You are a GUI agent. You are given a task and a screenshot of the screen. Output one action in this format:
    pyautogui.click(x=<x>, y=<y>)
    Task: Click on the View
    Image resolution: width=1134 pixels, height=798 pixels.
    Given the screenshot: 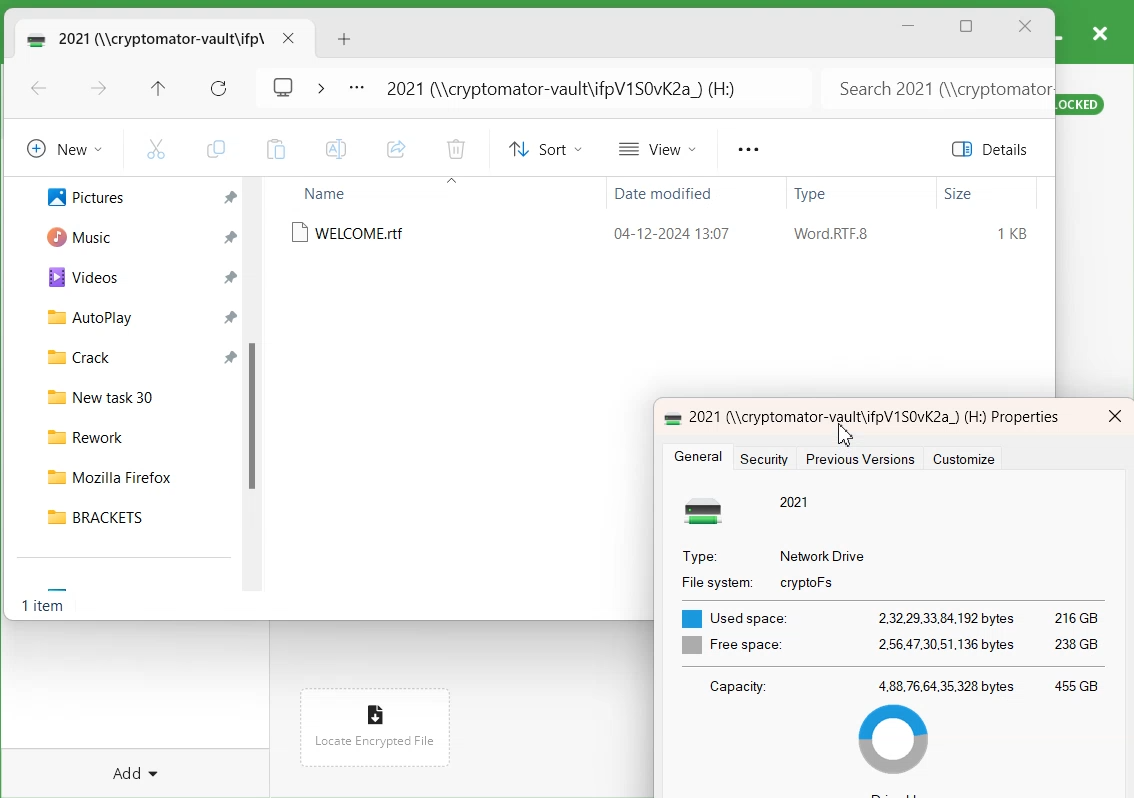 What is the action you would take?
    pyautogui.click(x=659, y=148)
    